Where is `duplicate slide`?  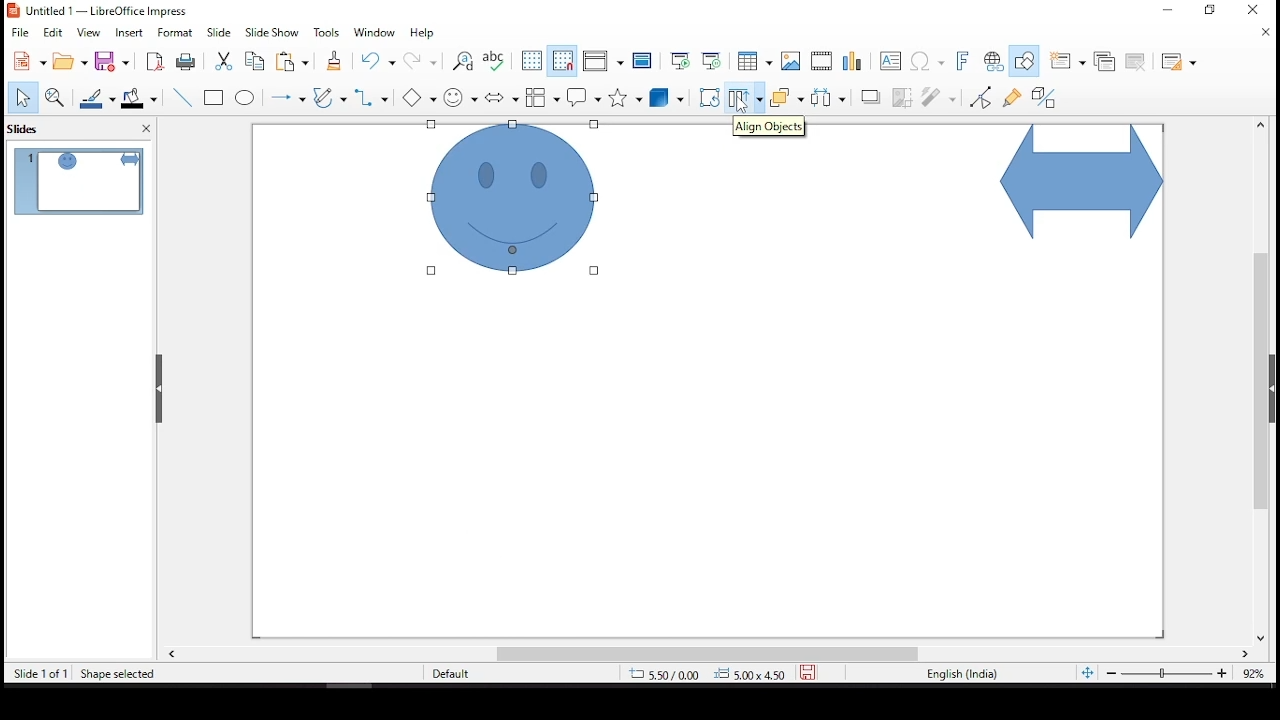 duplicate slide is located at coordinates (1106, 59).